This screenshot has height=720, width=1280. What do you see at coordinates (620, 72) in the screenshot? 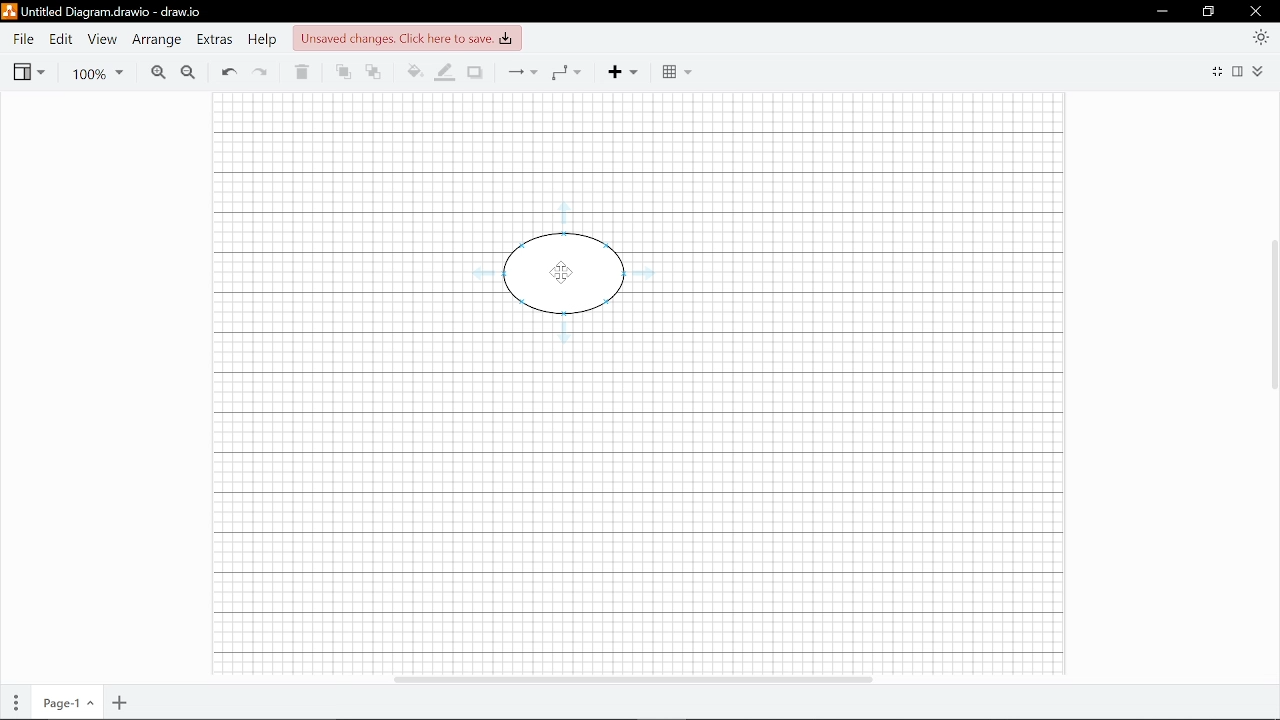
I see `Add` at bounding box center [620, 72].